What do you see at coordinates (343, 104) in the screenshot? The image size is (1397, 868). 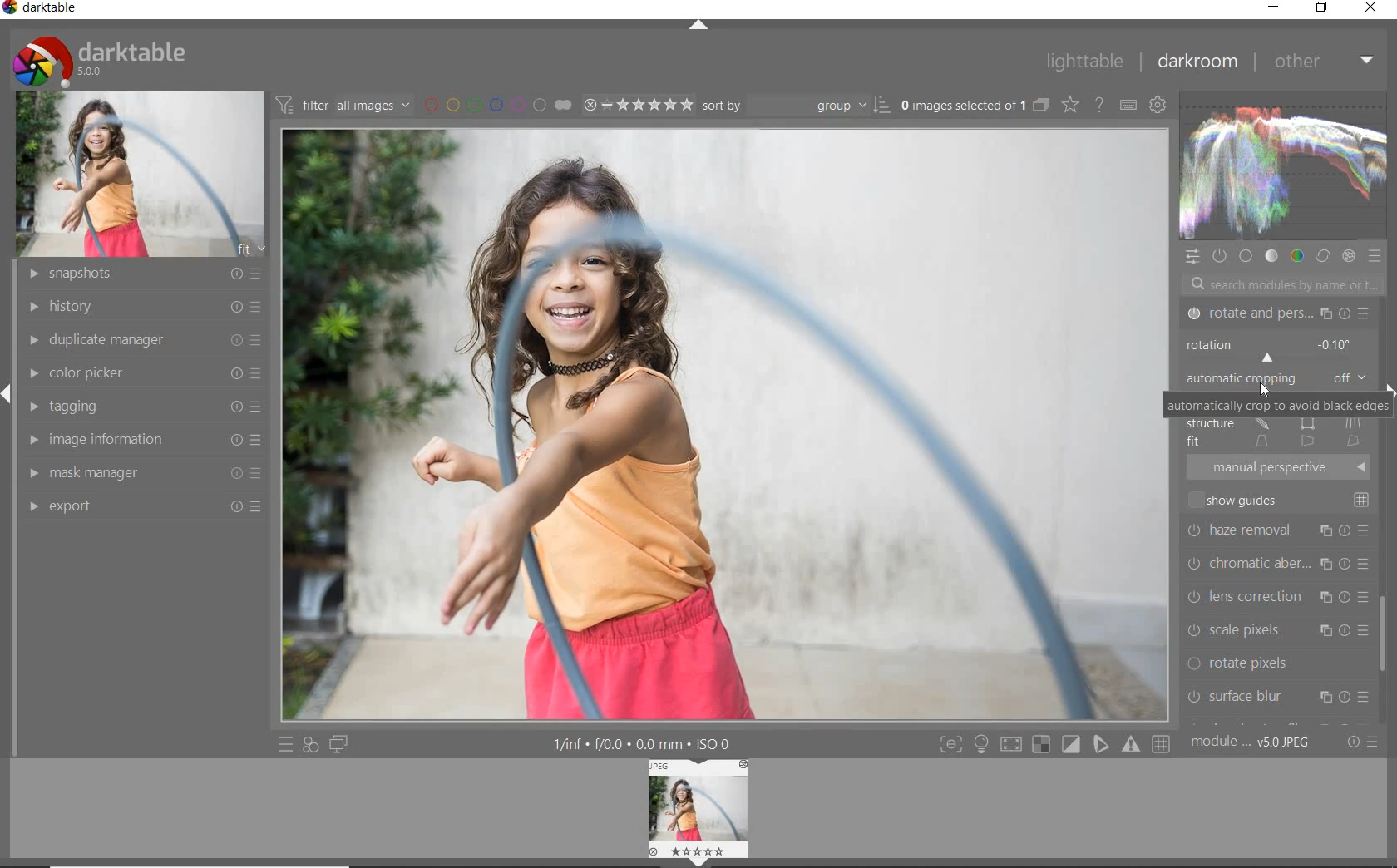 I see `filter images` at bounding box center [343, 104].